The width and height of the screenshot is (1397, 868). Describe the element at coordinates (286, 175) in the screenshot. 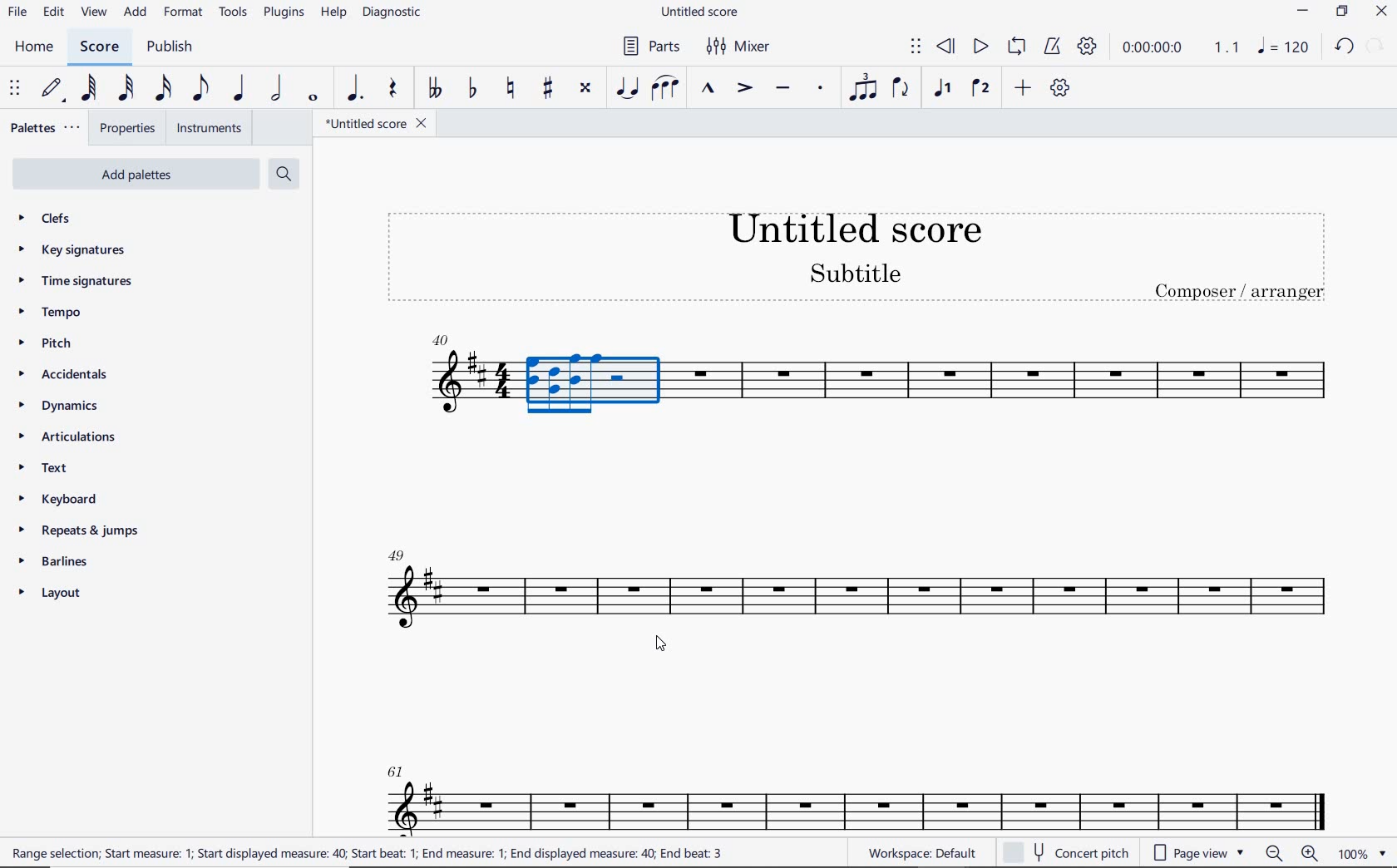

I see `SEARCH PALETTES` at that location.